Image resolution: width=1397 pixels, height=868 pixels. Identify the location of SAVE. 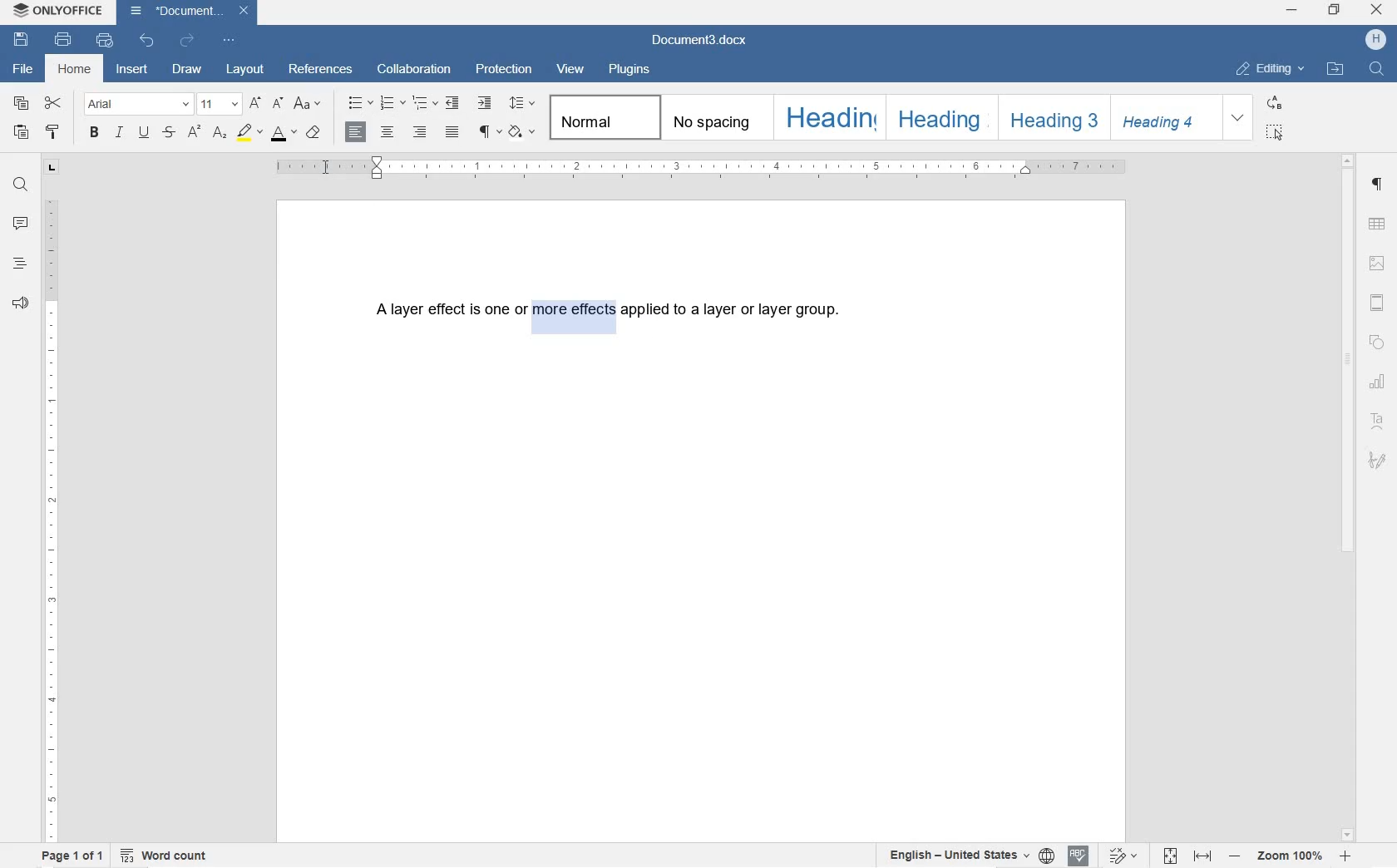
(23, 41).